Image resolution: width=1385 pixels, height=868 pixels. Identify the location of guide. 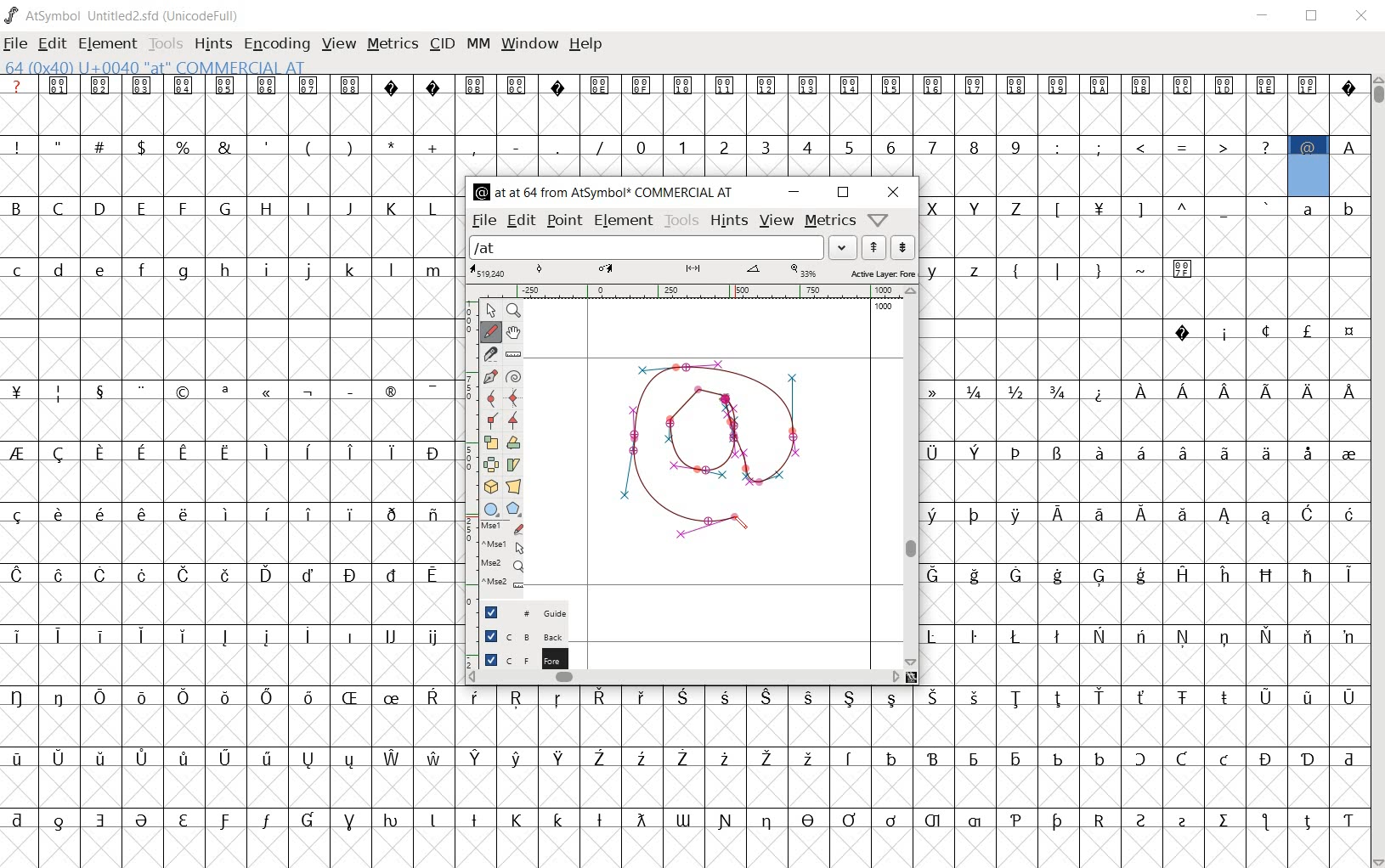
(540, 613).